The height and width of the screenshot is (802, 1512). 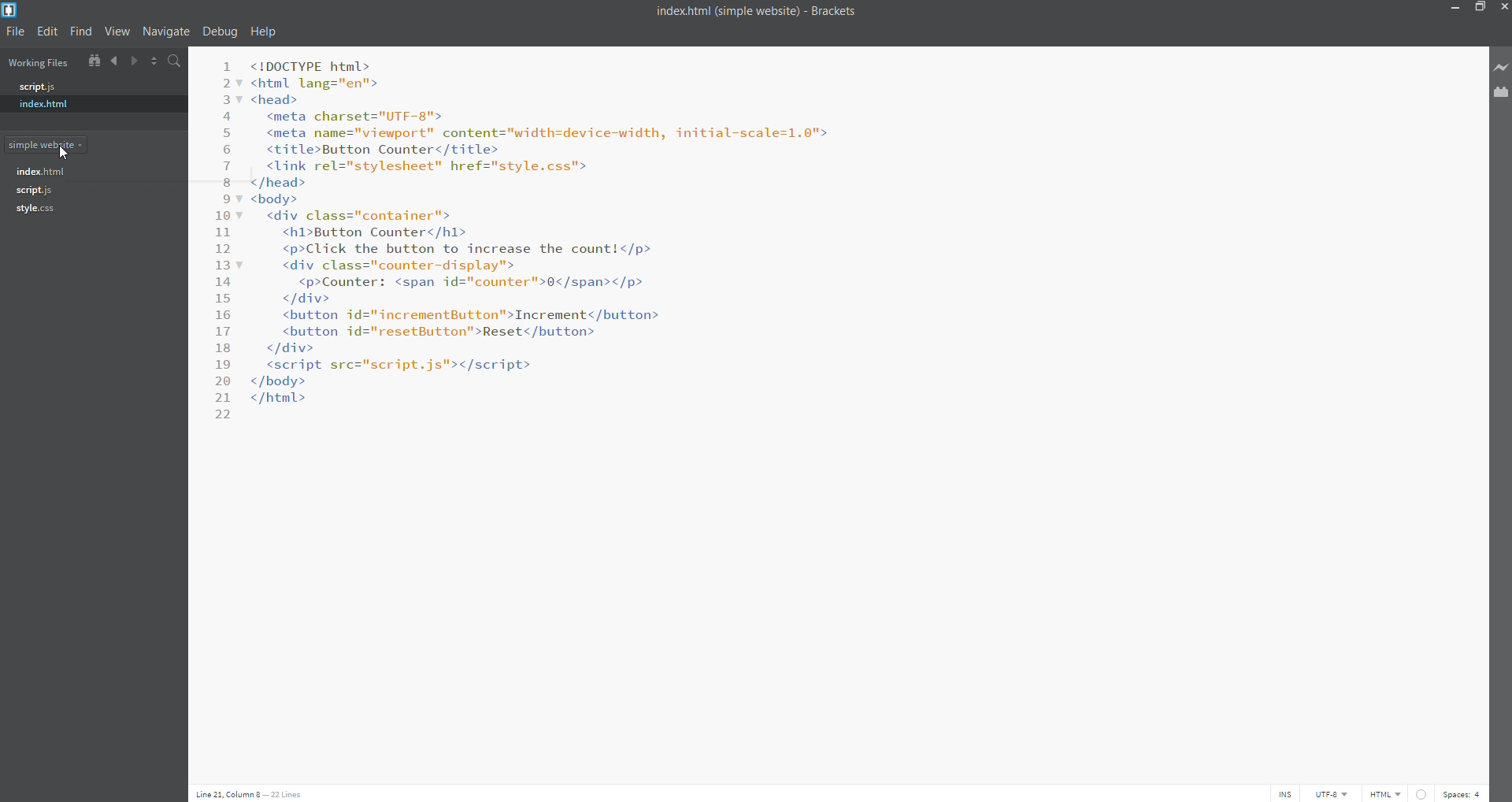 I want to click on style.css, so click(x=45, y=210).